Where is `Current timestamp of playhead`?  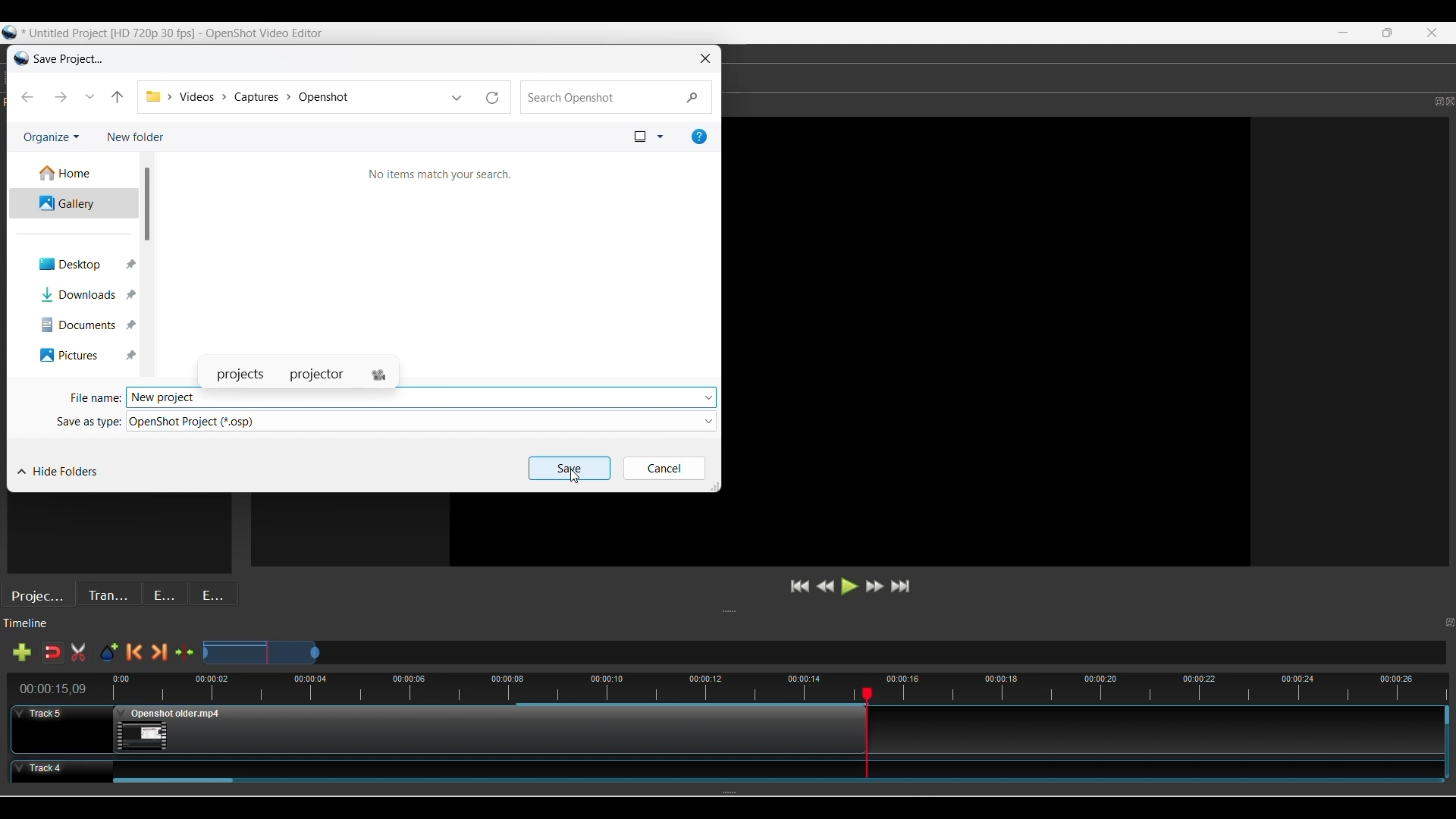
Current timestamp of playhead is located at coordinates (54, 689).